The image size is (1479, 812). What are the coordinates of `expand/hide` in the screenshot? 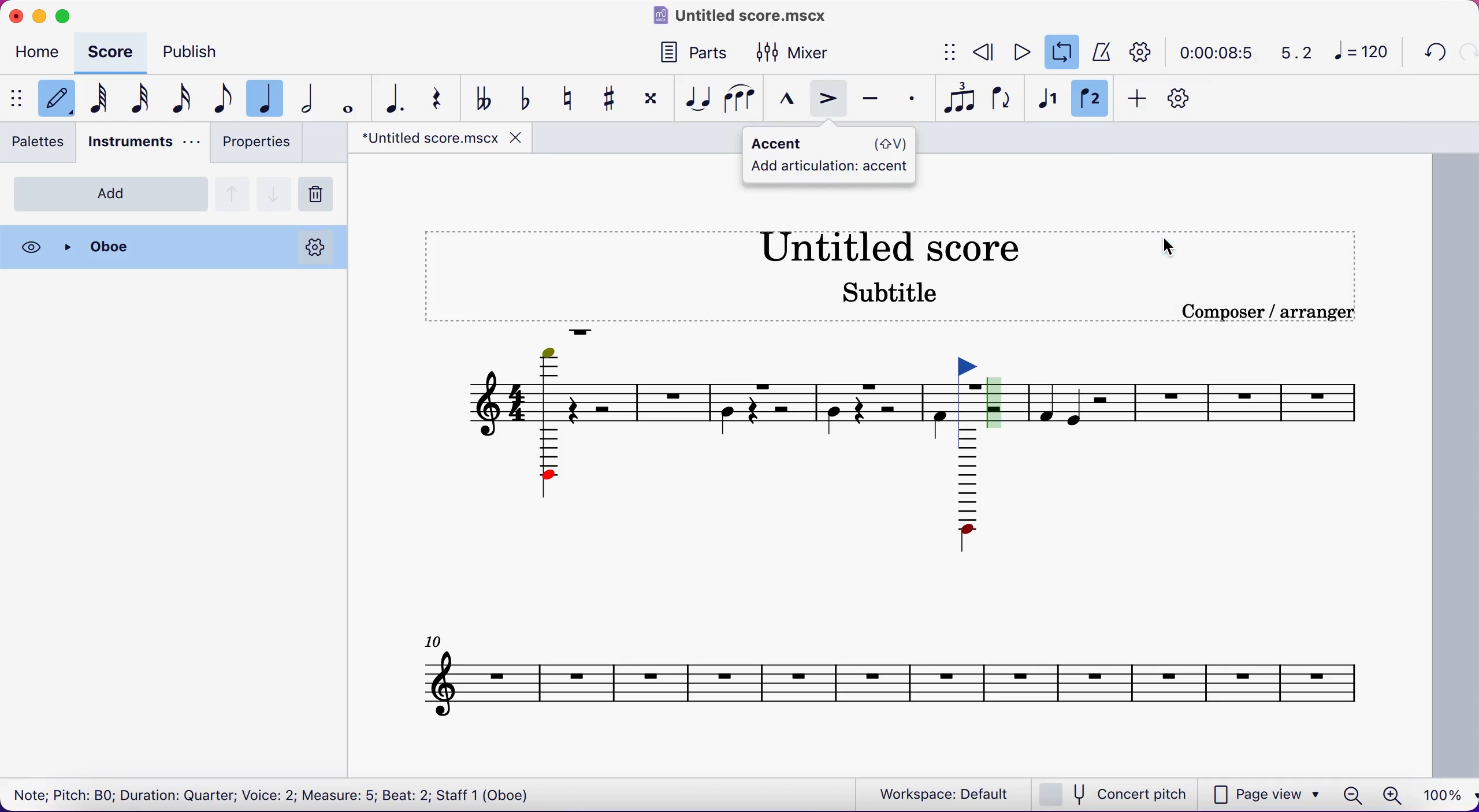 It's located at (952, 53).